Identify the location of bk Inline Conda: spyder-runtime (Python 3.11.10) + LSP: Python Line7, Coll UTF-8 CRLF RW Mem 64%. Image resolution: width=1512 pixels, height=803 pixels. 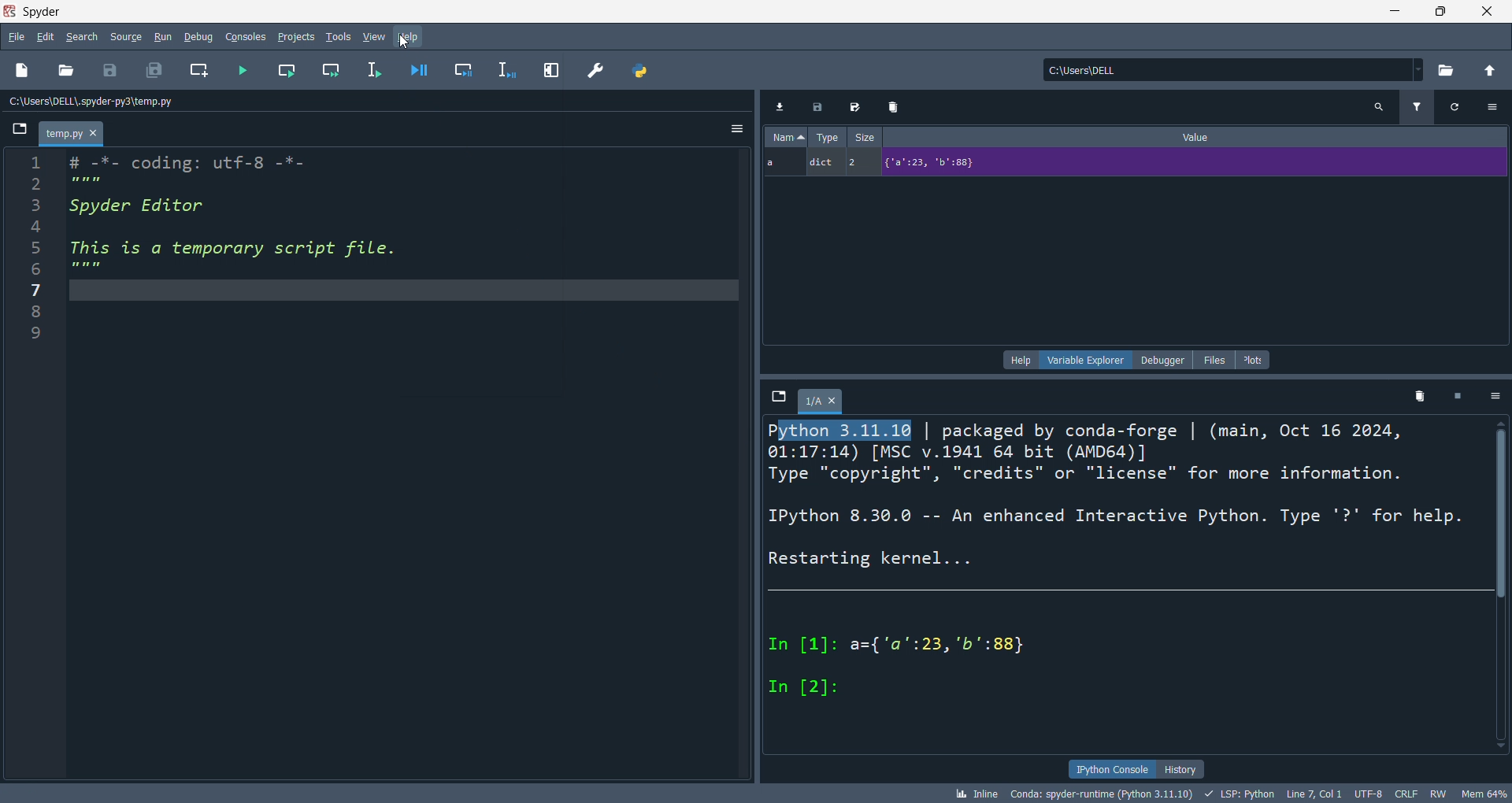
(1229, 792).